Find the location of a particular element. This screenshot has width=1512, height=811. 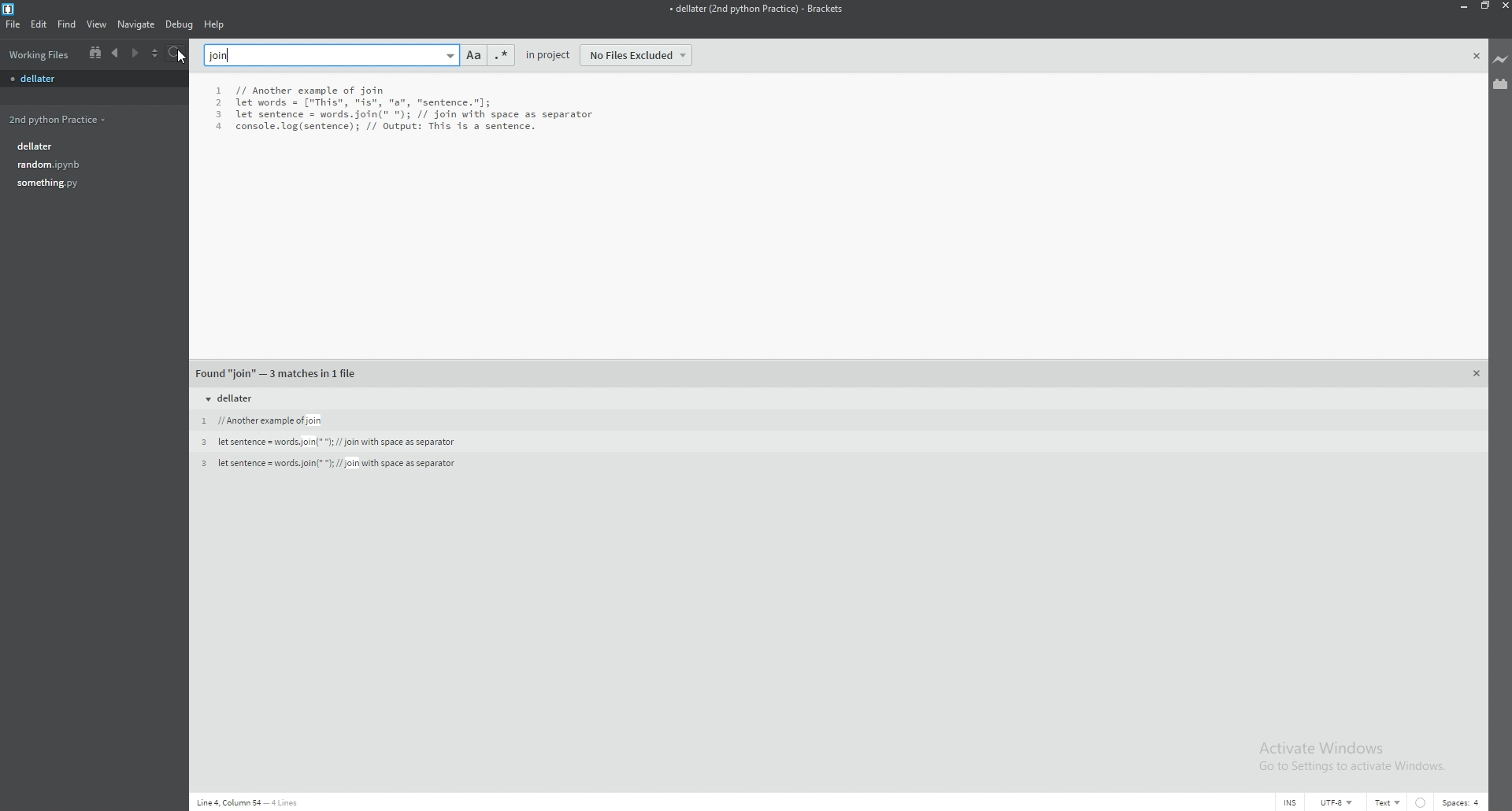

view is located at coordinates (97, 25).